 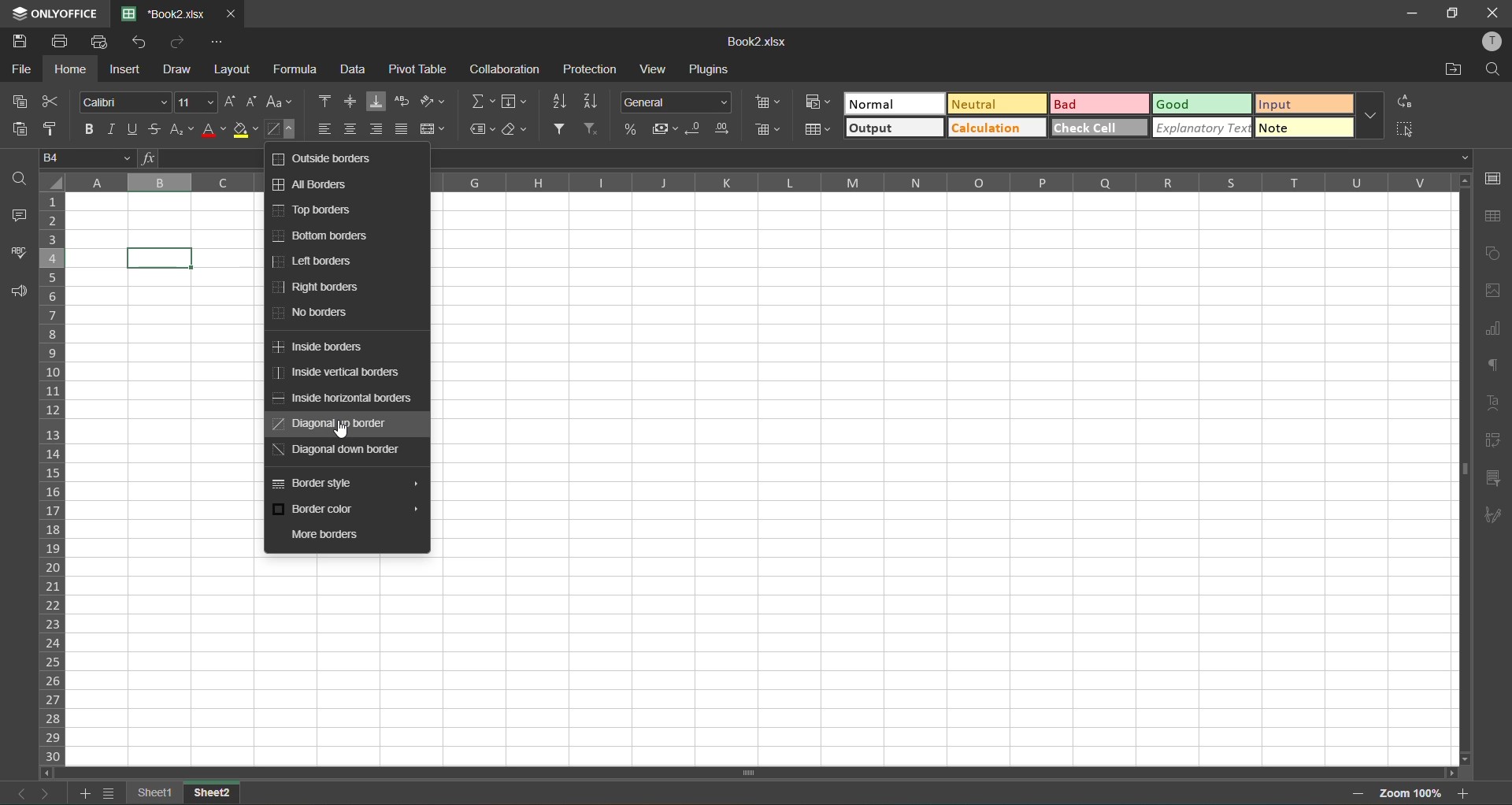 I want to click on left borders, so click(x=316, y=262).